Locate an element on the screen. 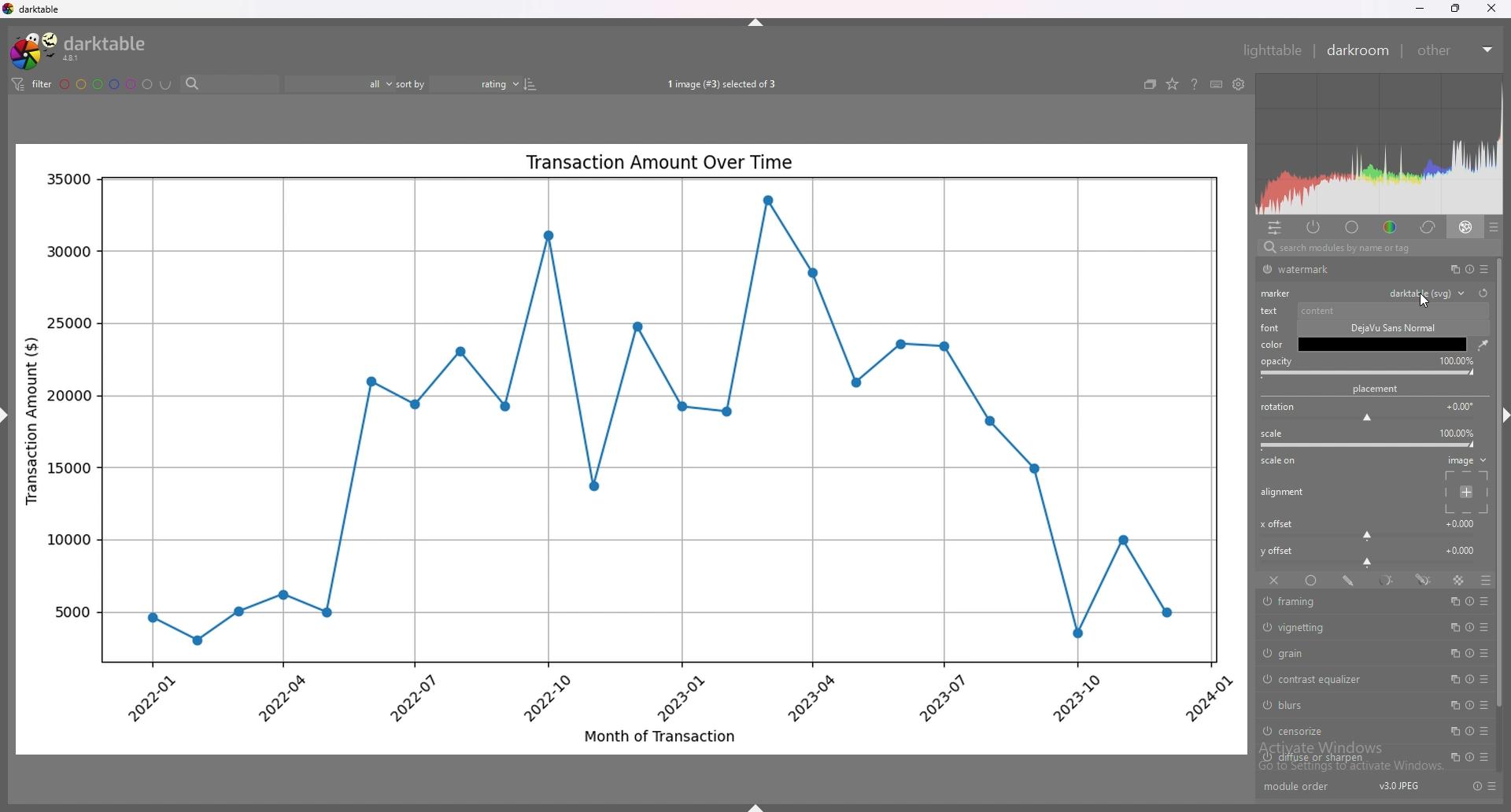 This screenshot has width=1511, height=812. content is located at coordinates (1391, 310).